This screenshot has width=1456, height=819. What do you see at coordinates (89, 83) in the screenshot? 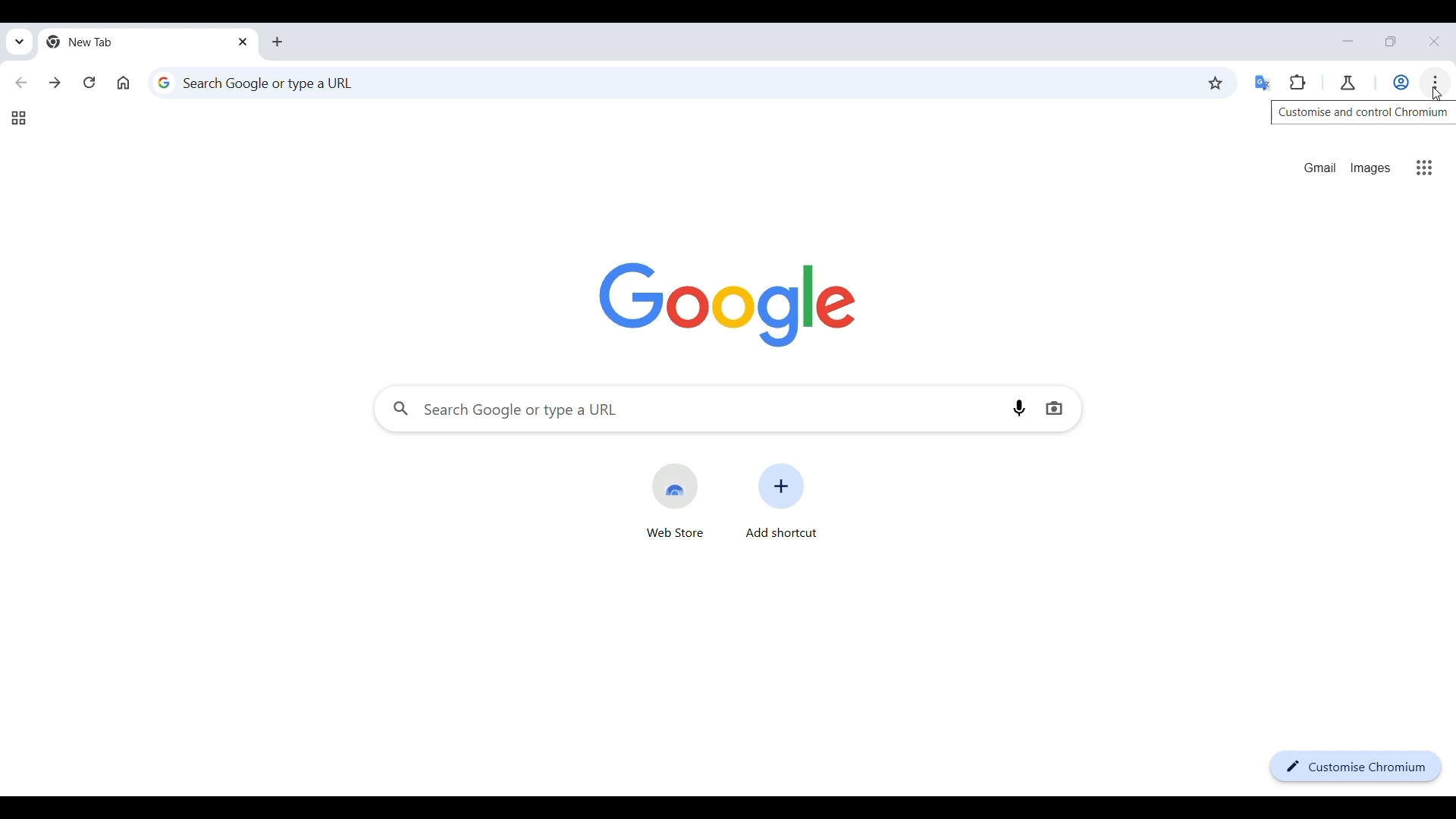
I see `Reload page` at bounding box center [89, 83].